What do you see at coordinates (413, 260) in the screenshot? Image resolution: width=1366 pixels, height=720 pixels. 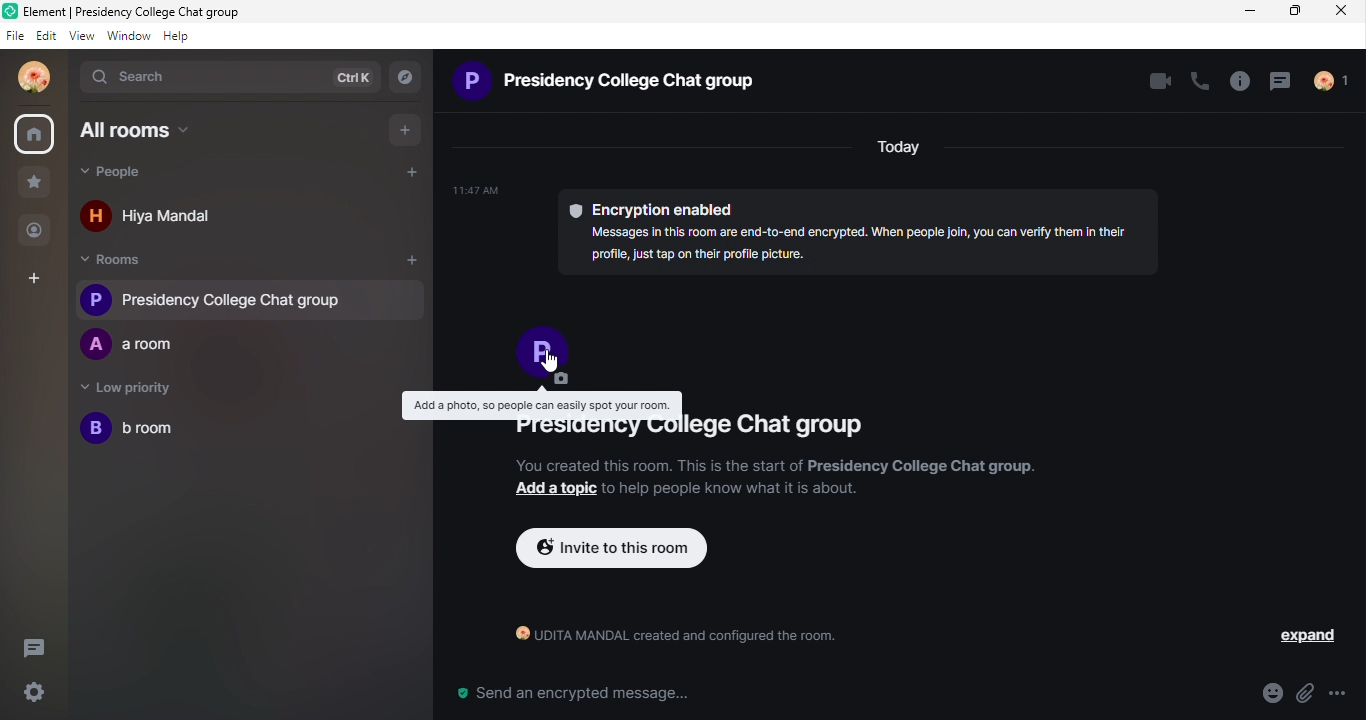 I see `add` at bounding box center [413, 260].